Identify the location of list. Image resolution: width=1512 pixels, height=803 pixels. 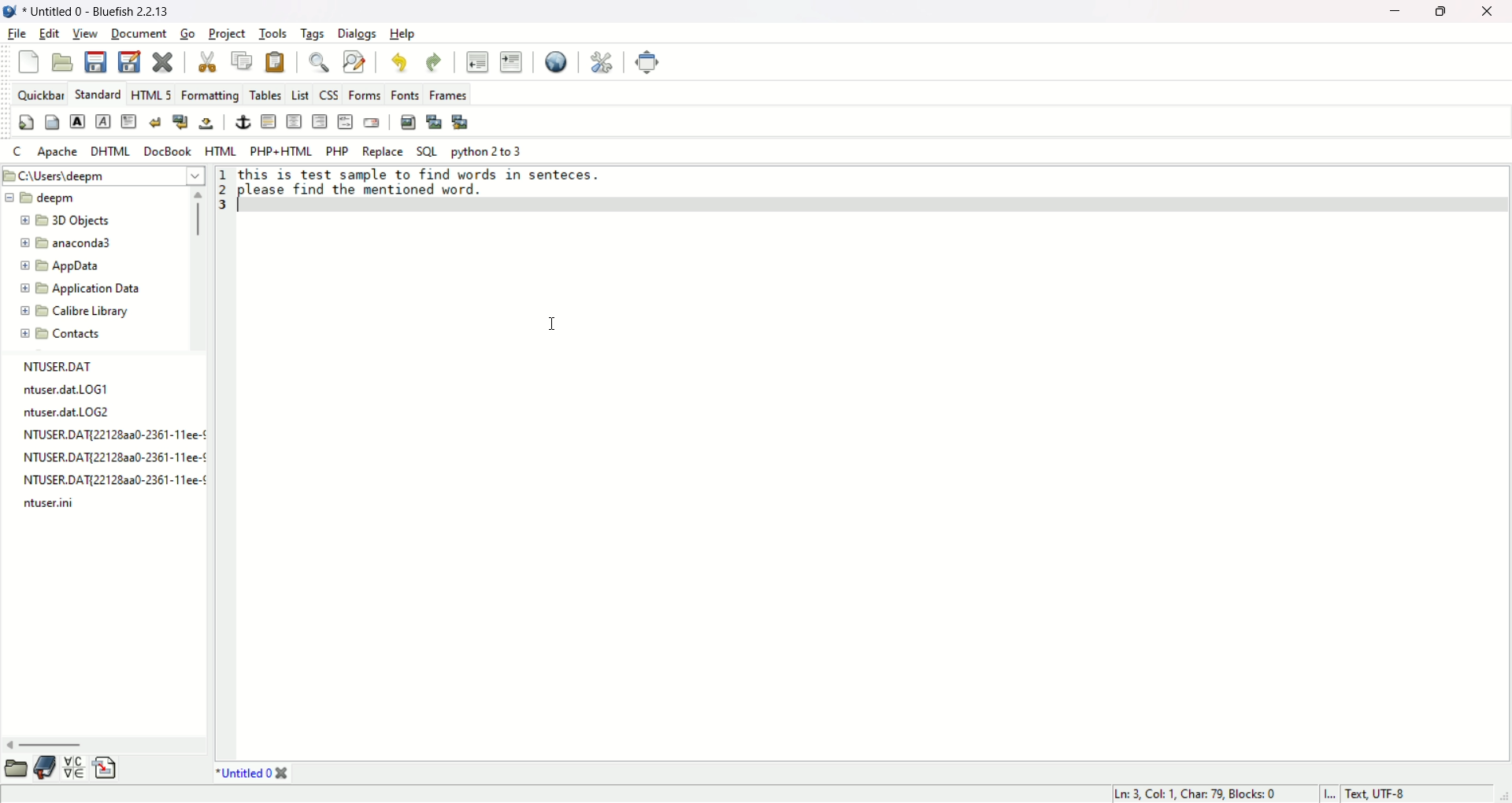
(299, 94).